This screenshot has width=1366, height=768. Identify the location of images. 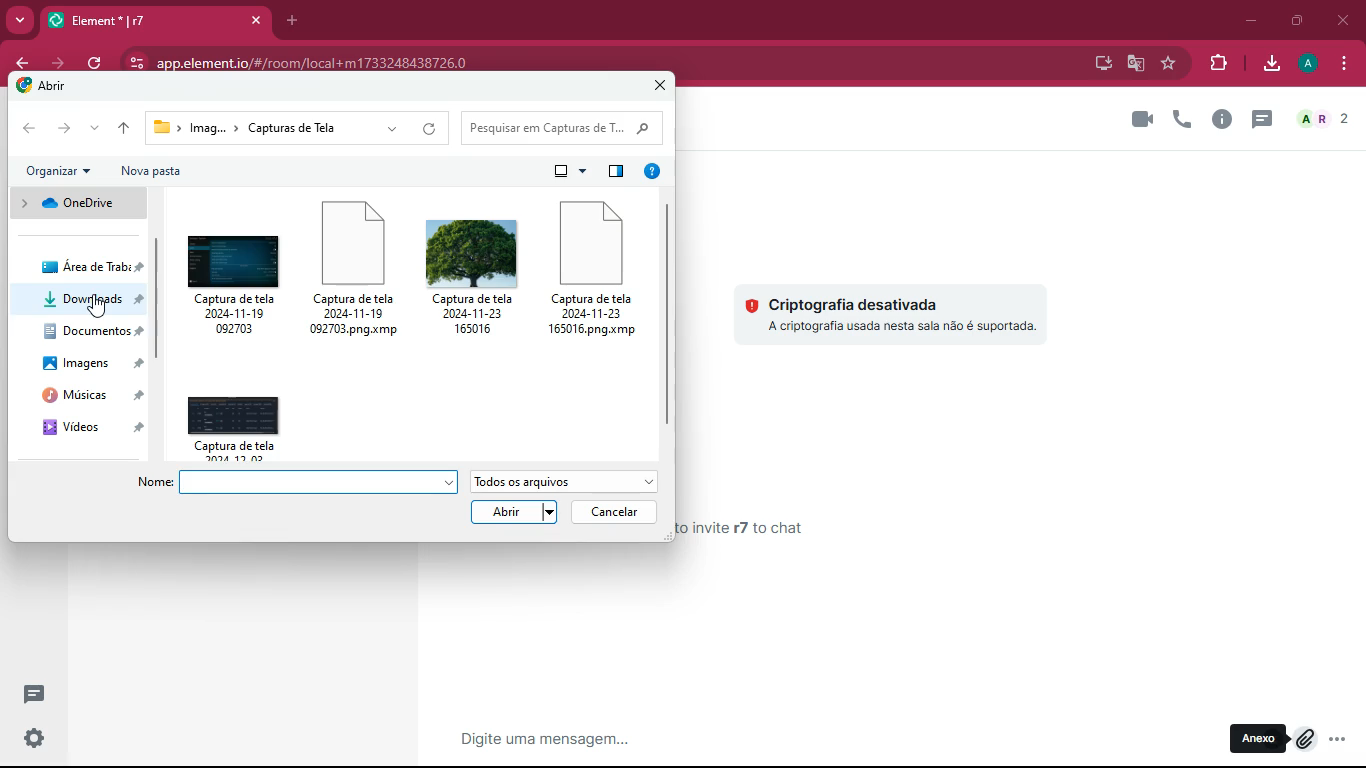
(96, 363).